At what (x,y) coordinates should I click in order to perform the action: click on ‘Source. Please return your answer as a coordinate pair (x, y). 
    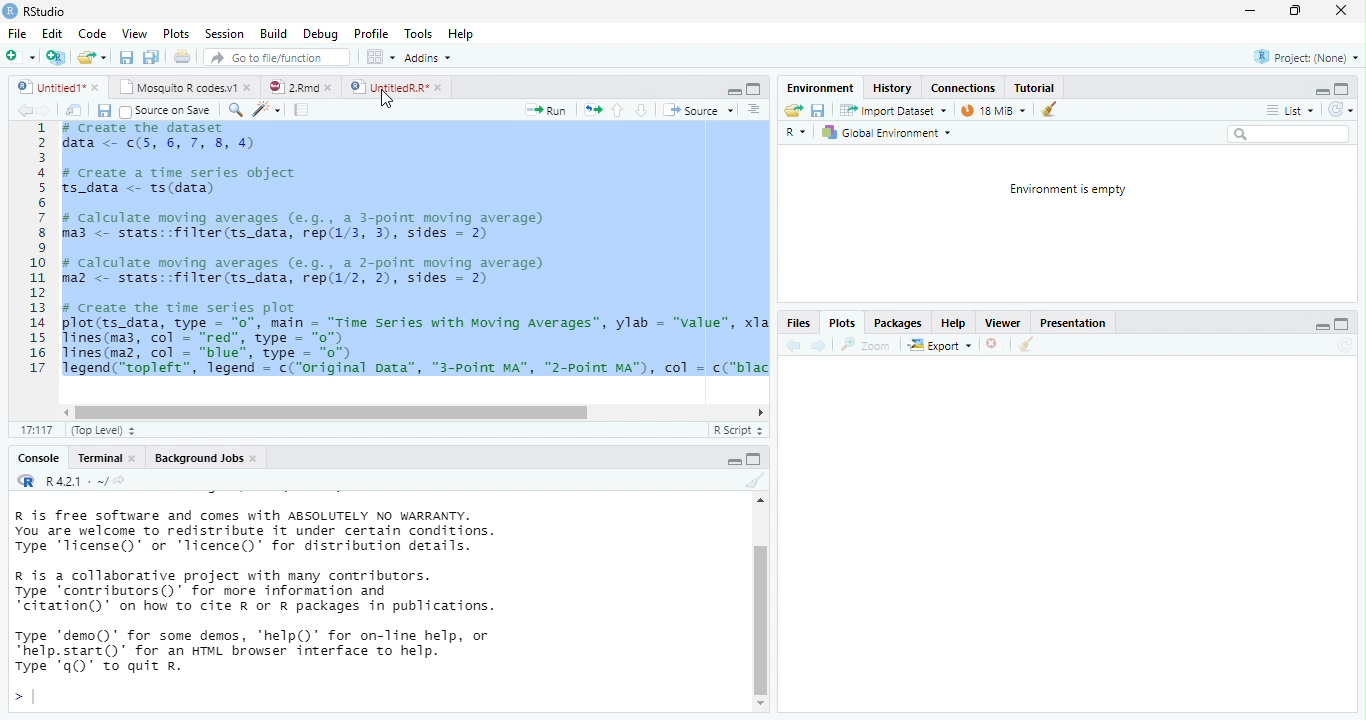
    Looking at the image, I should click on (700, 110).